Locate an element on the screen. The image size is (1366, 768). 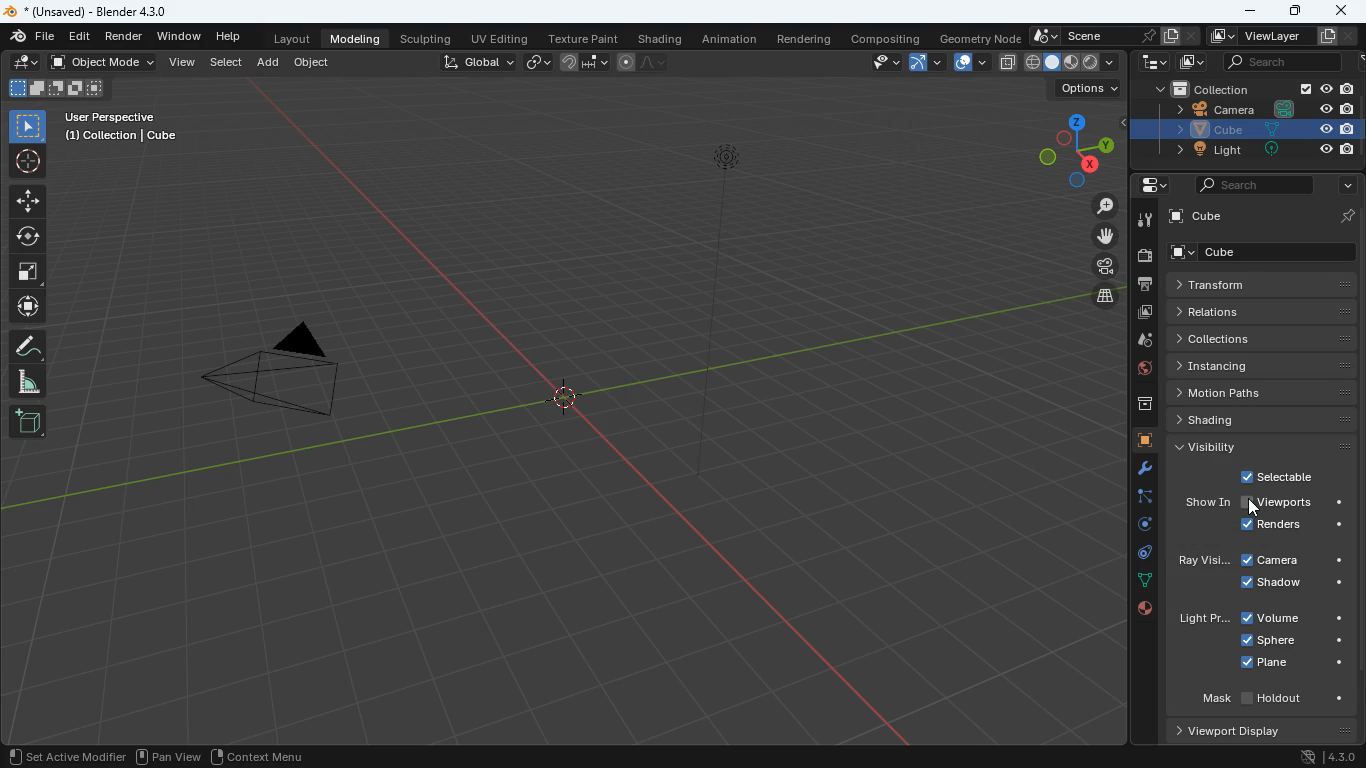
camera is located at coordinates (1144, 256).